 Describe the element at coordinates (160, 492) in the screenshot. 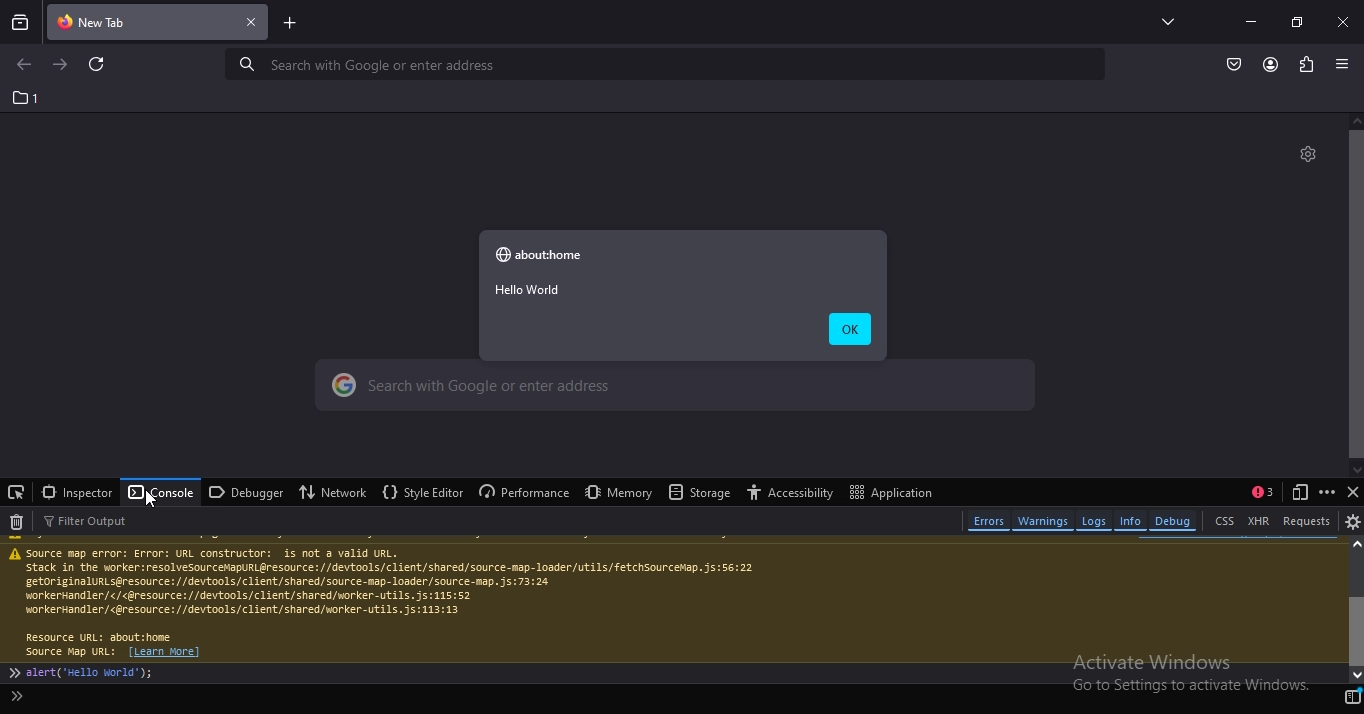

I see `console` at that location.